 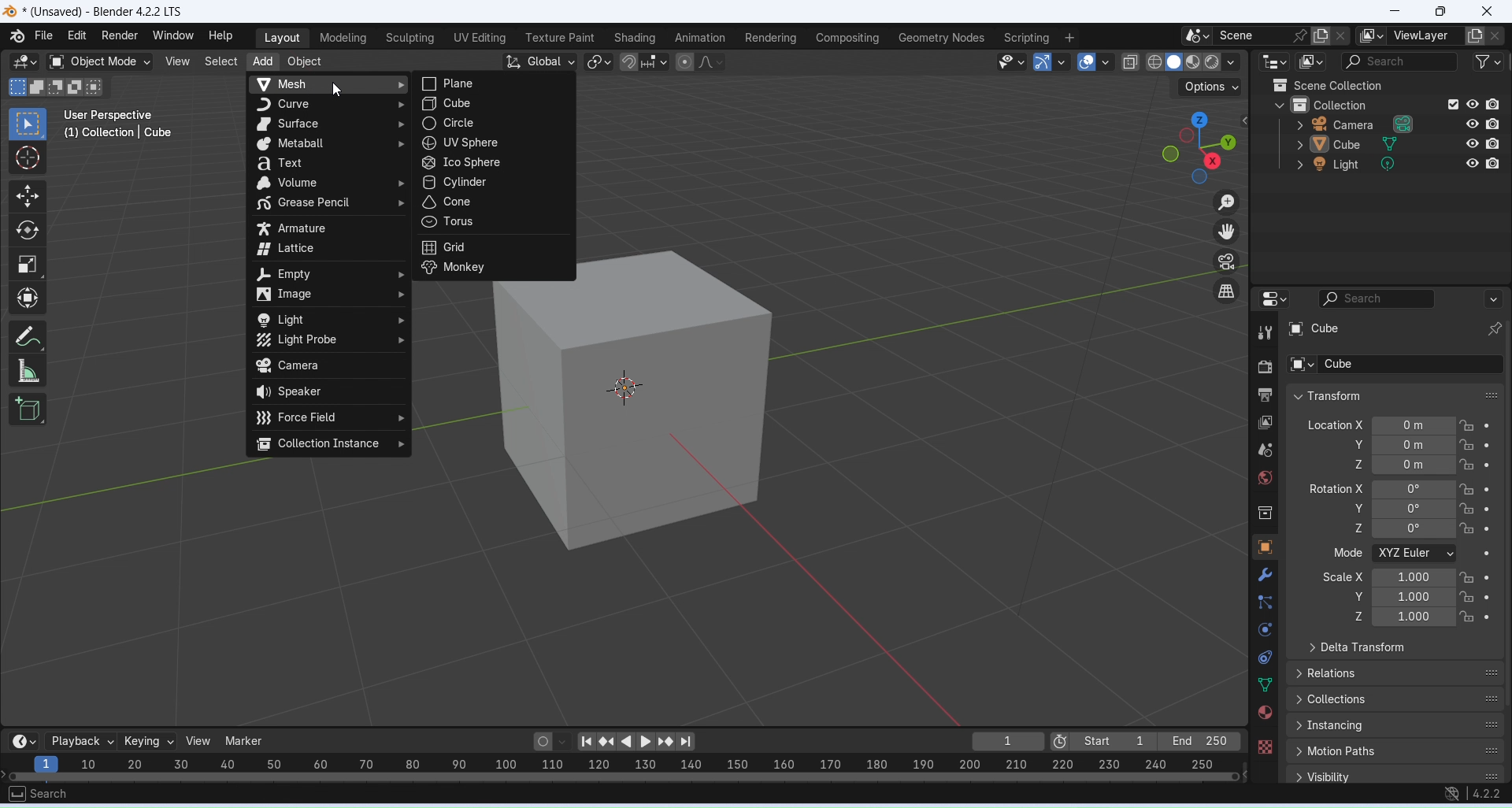 What do you see at coordinates (1267, 450) in the screenshot?
I see `` at bounding box center [1267, 450].